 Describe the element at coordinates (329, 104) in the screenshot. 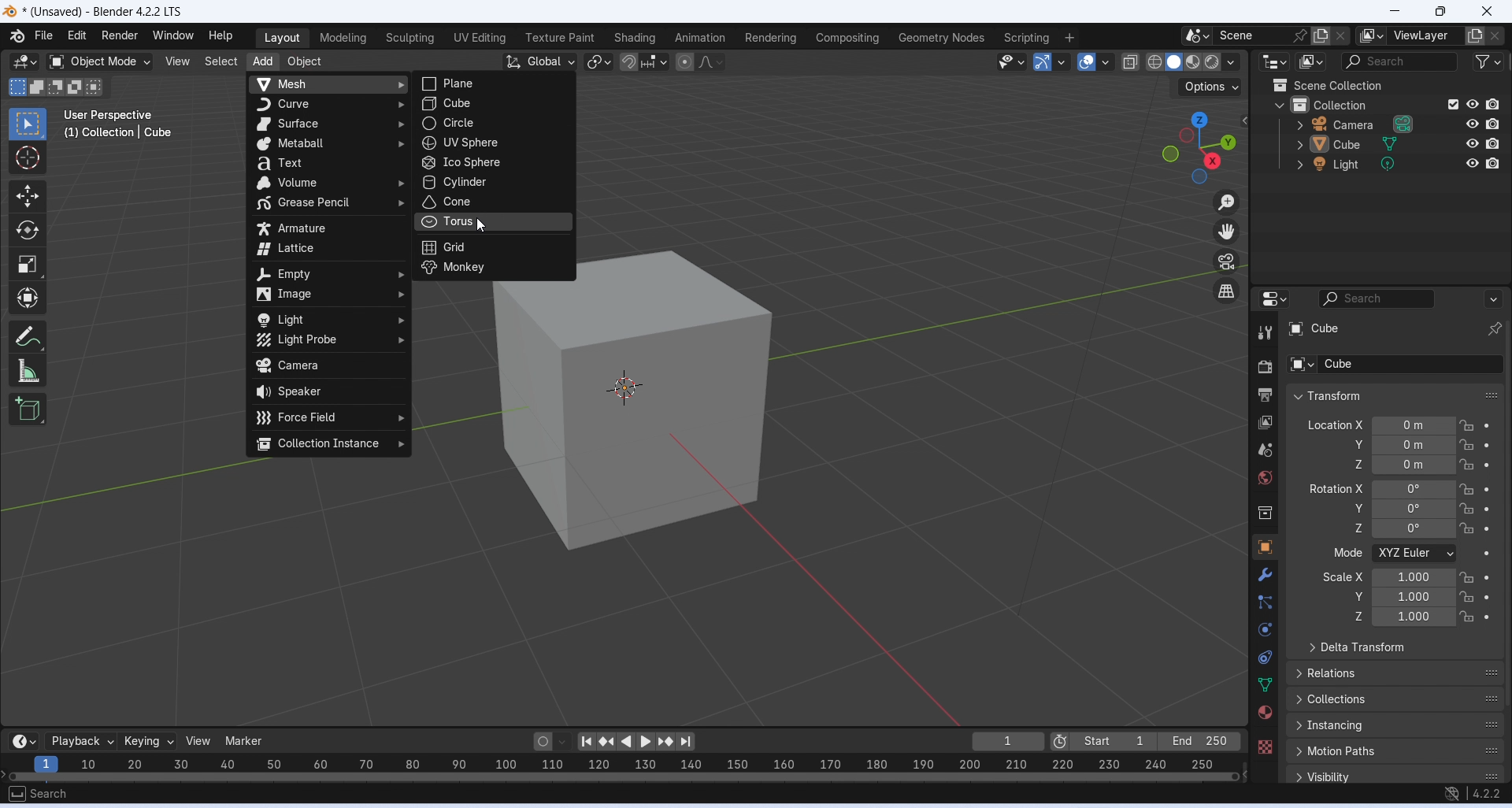

I see `curve` at that location.